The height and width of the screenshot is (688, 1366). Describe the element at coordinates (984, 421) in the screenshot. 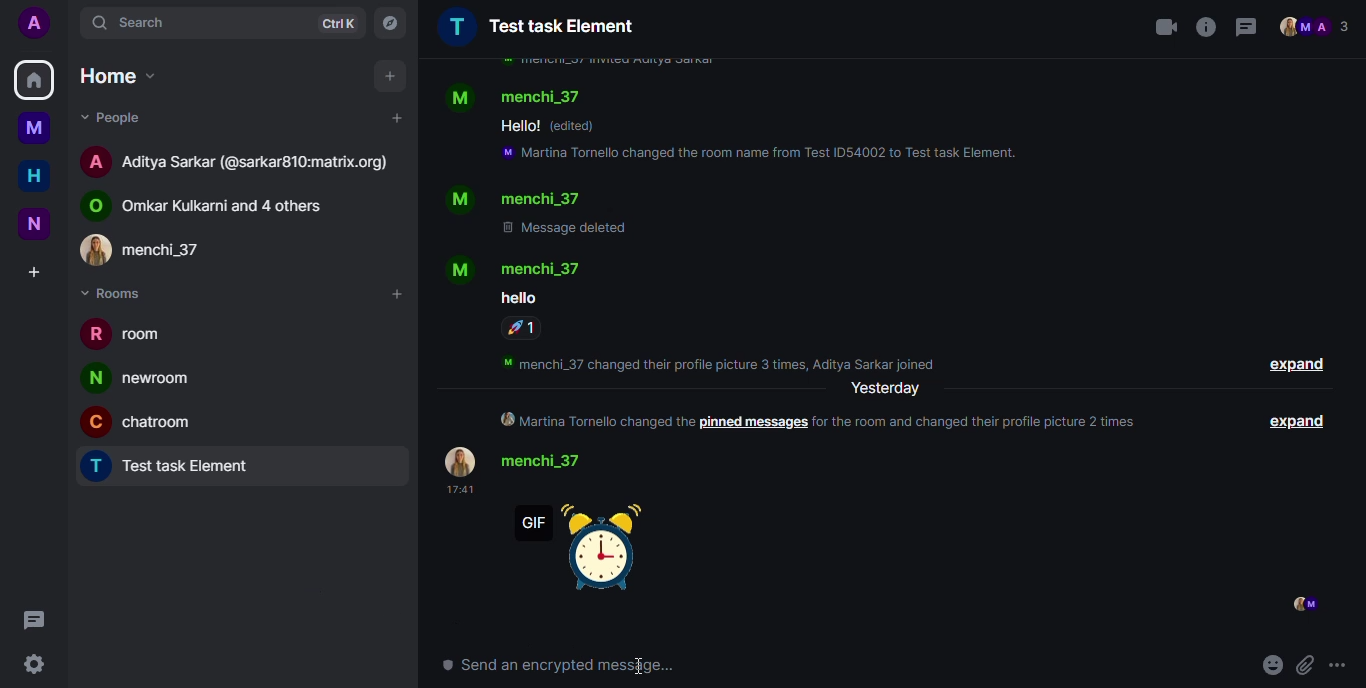

I see `info- for the room and changed their profile pictures 2 times.` at that location.